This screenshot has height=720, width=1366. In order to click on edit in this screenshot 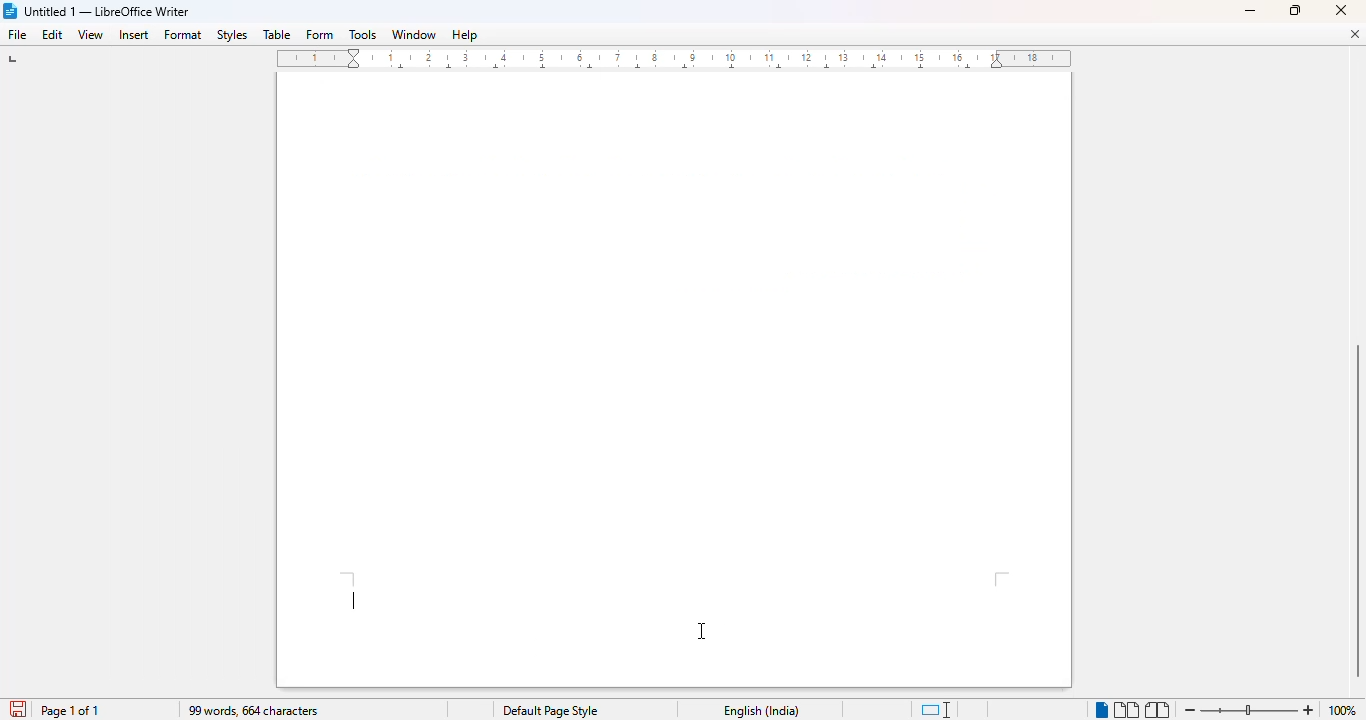, I will do `click(53, 35)`.